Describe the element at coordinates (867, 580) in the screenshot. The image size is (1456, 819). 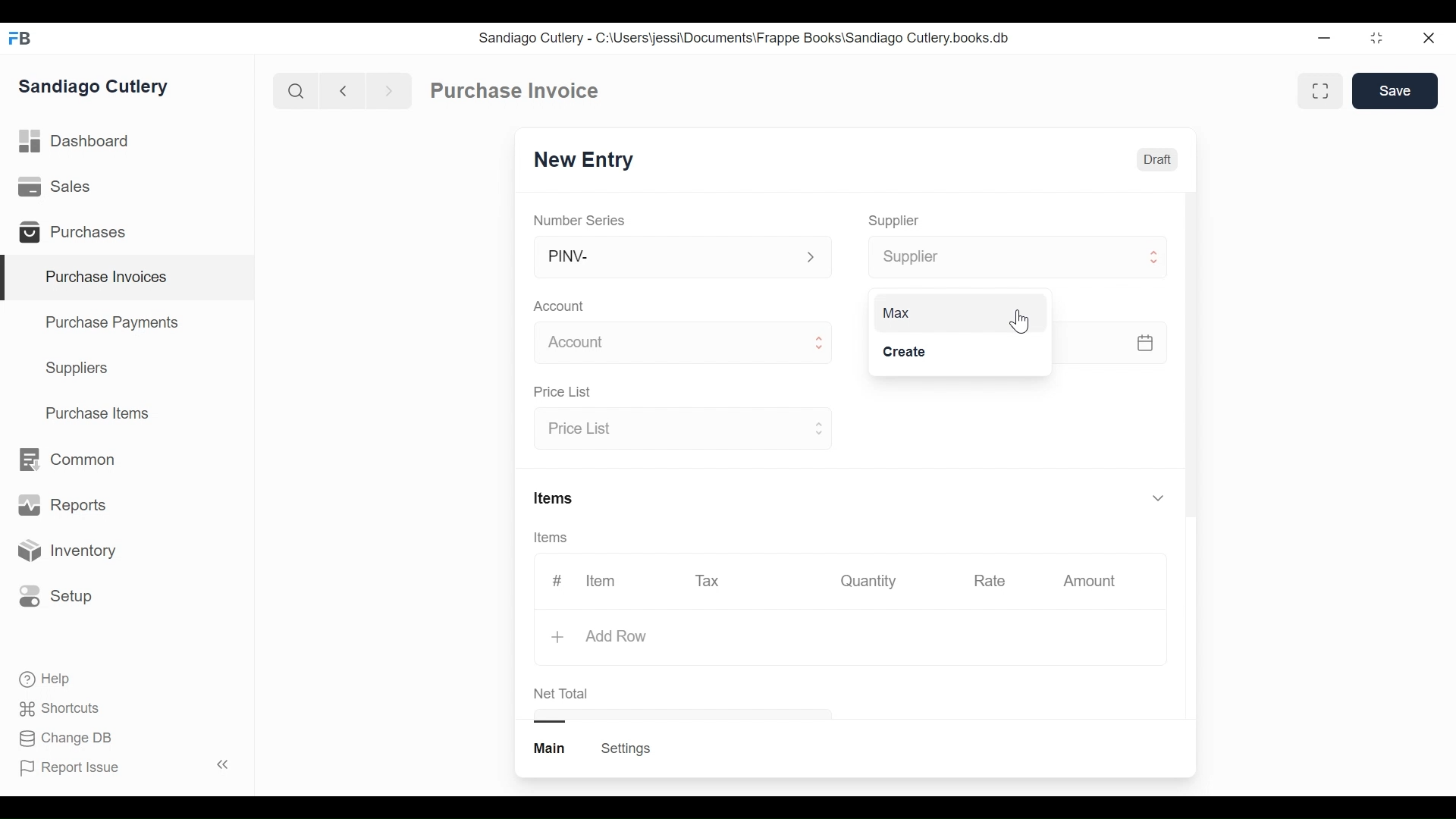
I see `Quantity` at that location.